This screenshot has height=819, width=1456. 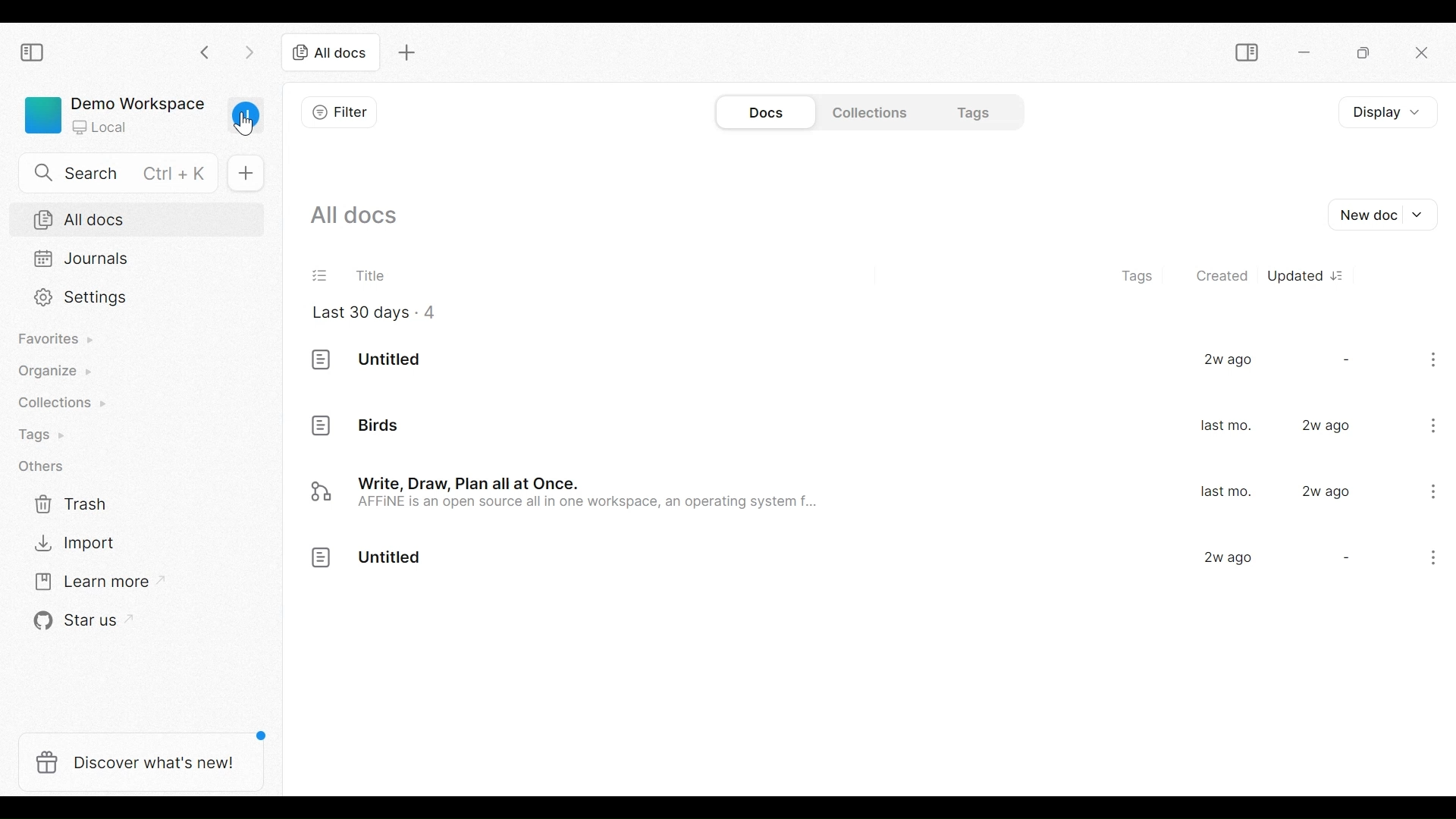 I want to click on 2w ago, so click(x=1327, y=491).